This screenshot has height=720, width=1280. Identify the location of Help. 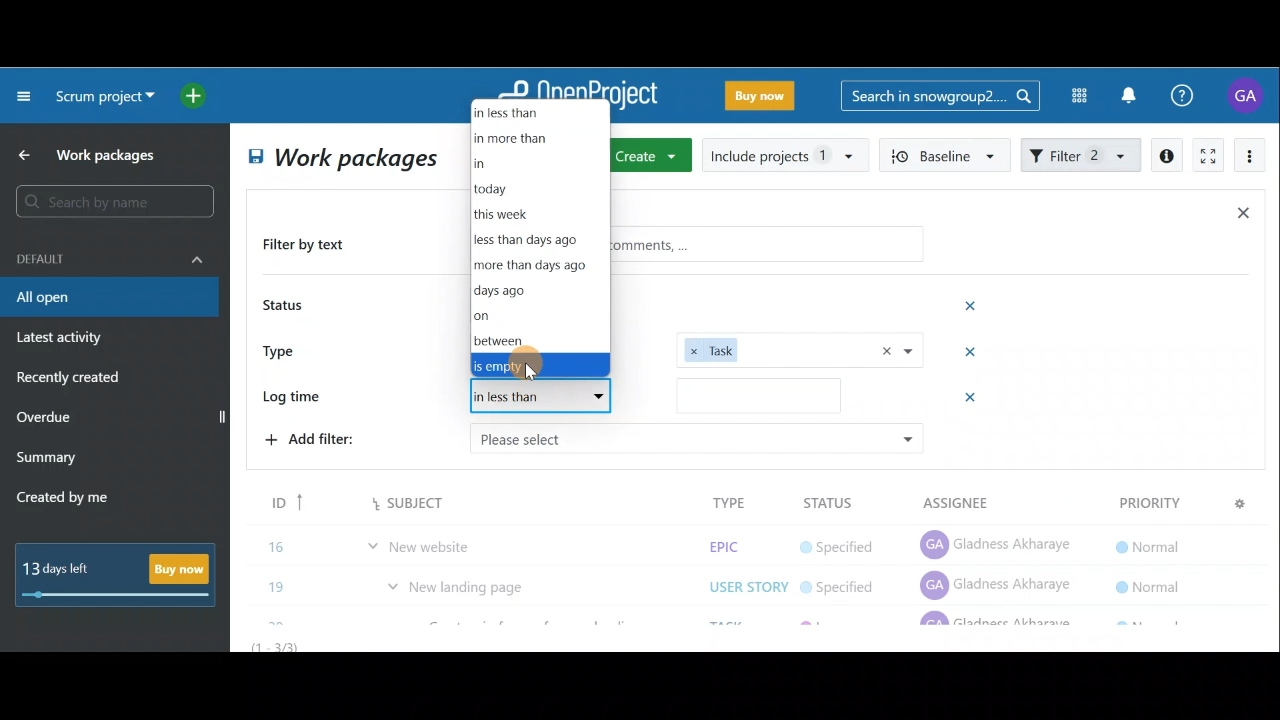
(1193, 96).